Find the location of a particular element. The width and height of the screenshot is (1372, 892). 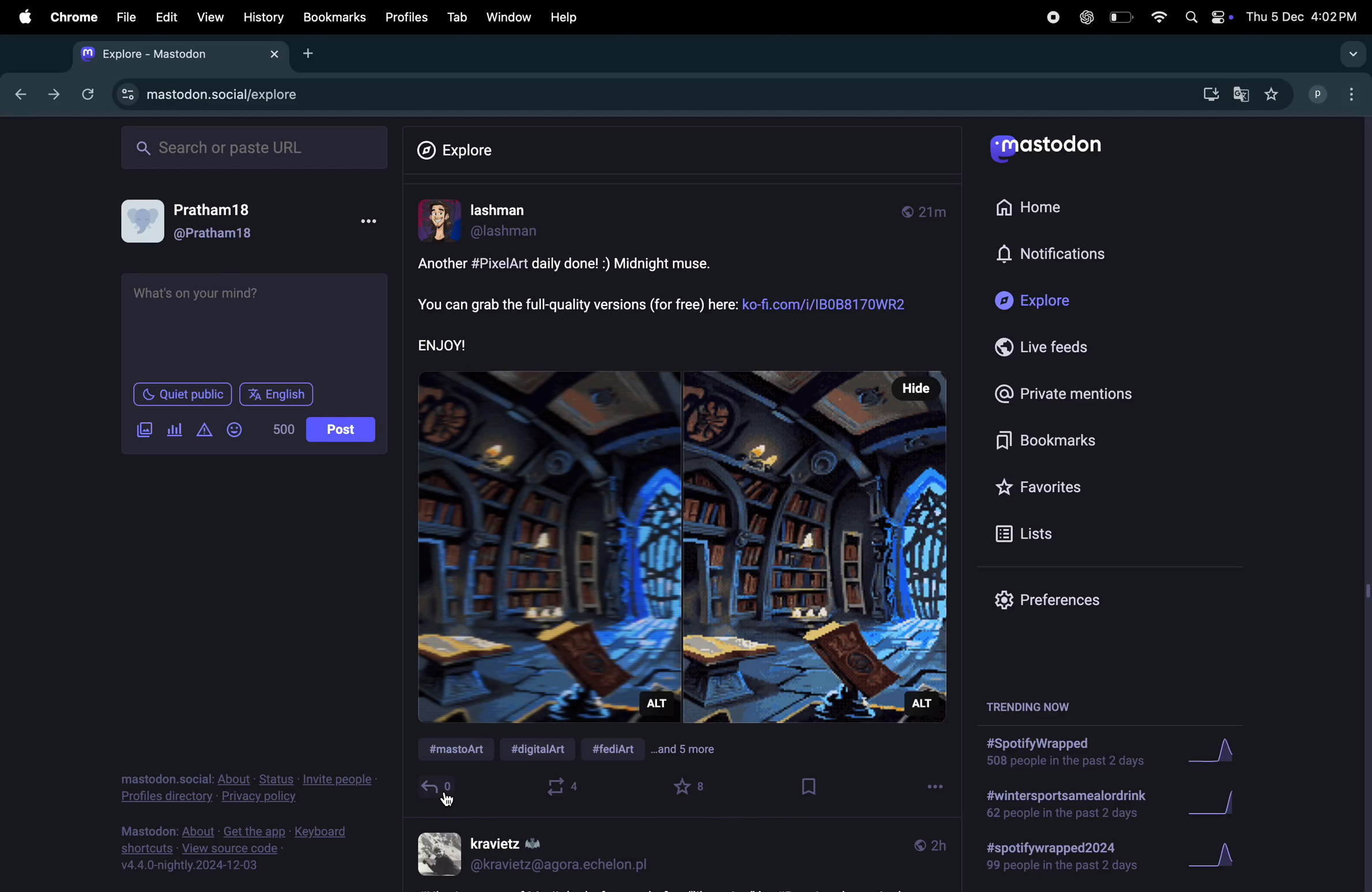

chrome is located at coordinates (75, 18).